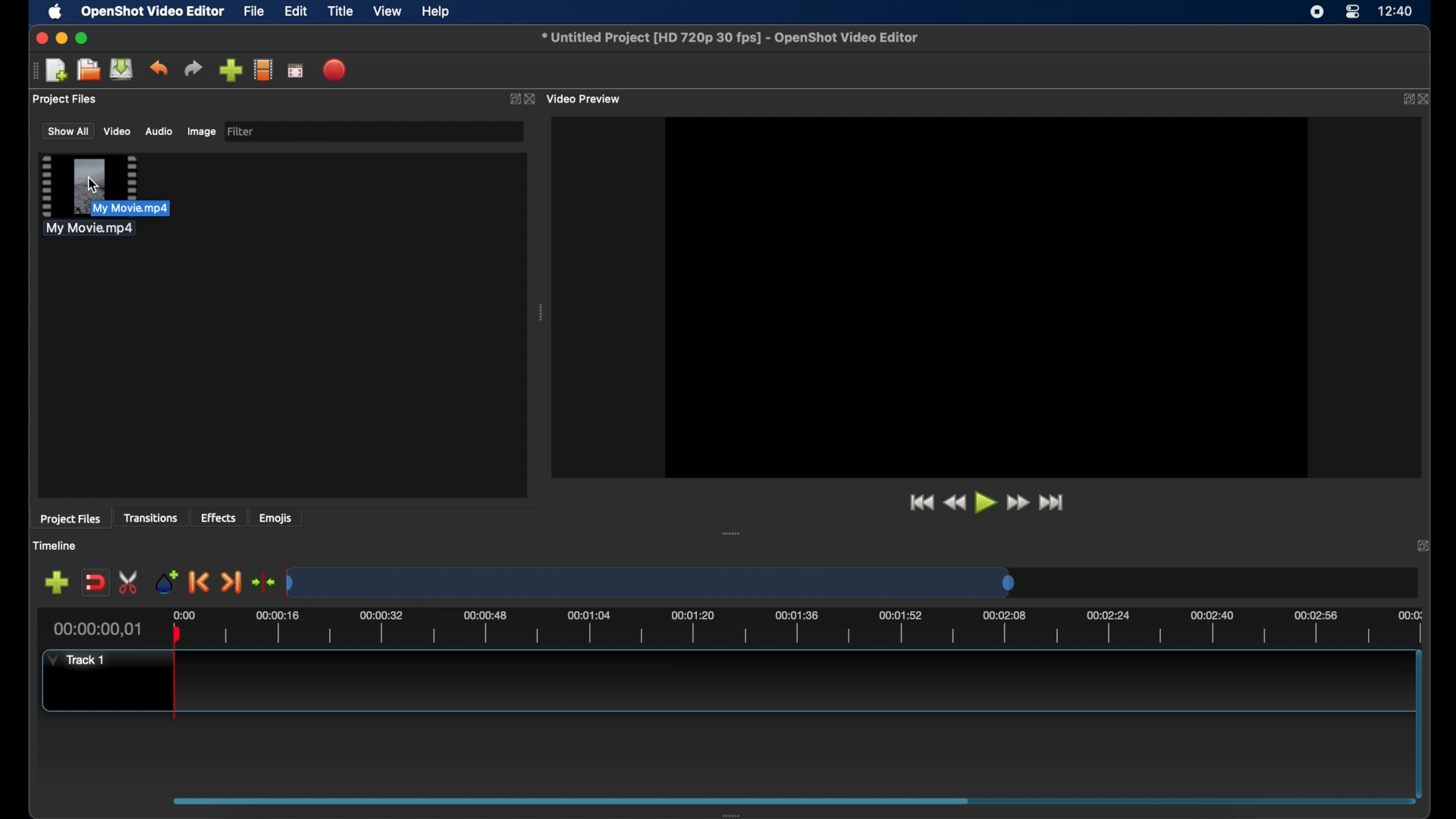 The height and width of the screenshot is (819, 1456). I want to click on current time indicator, so click(99, 629).